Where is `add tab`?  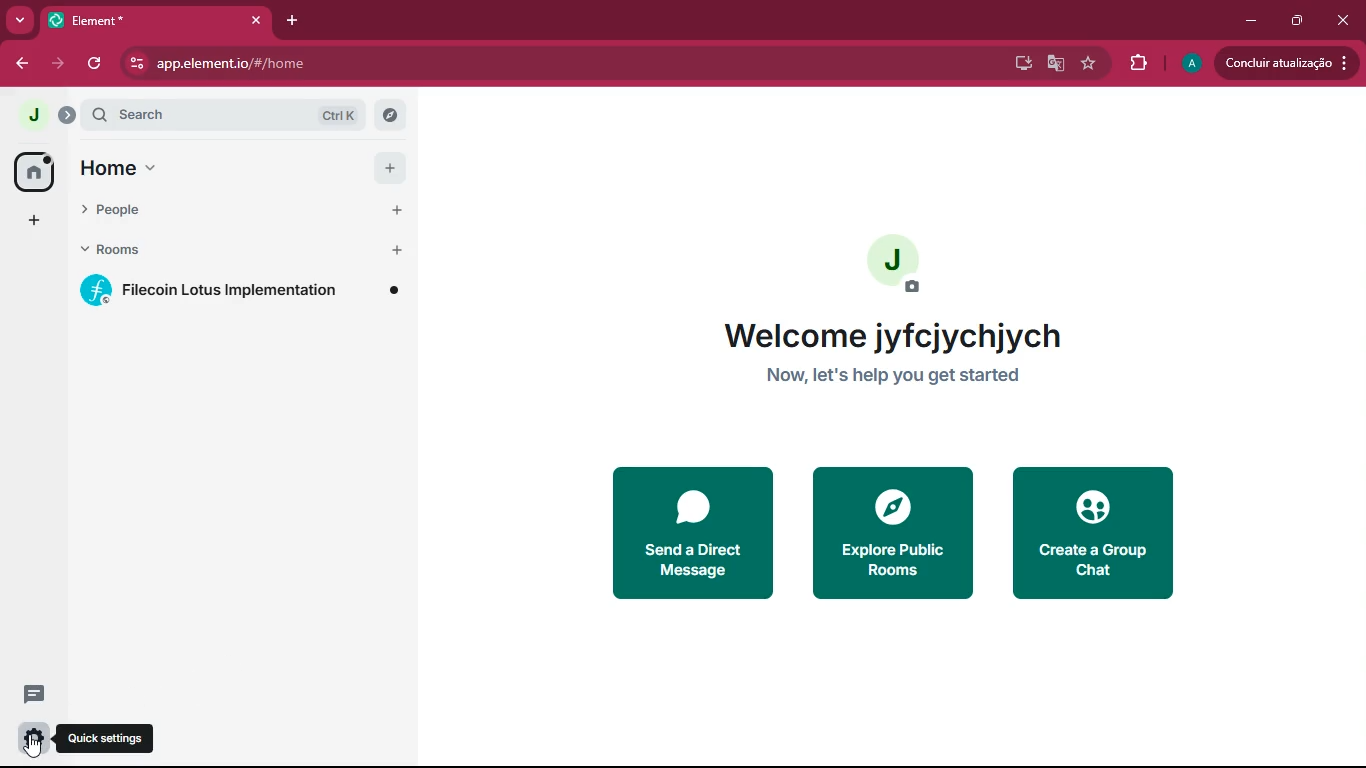
add tab is located at coordinates (292, 21).